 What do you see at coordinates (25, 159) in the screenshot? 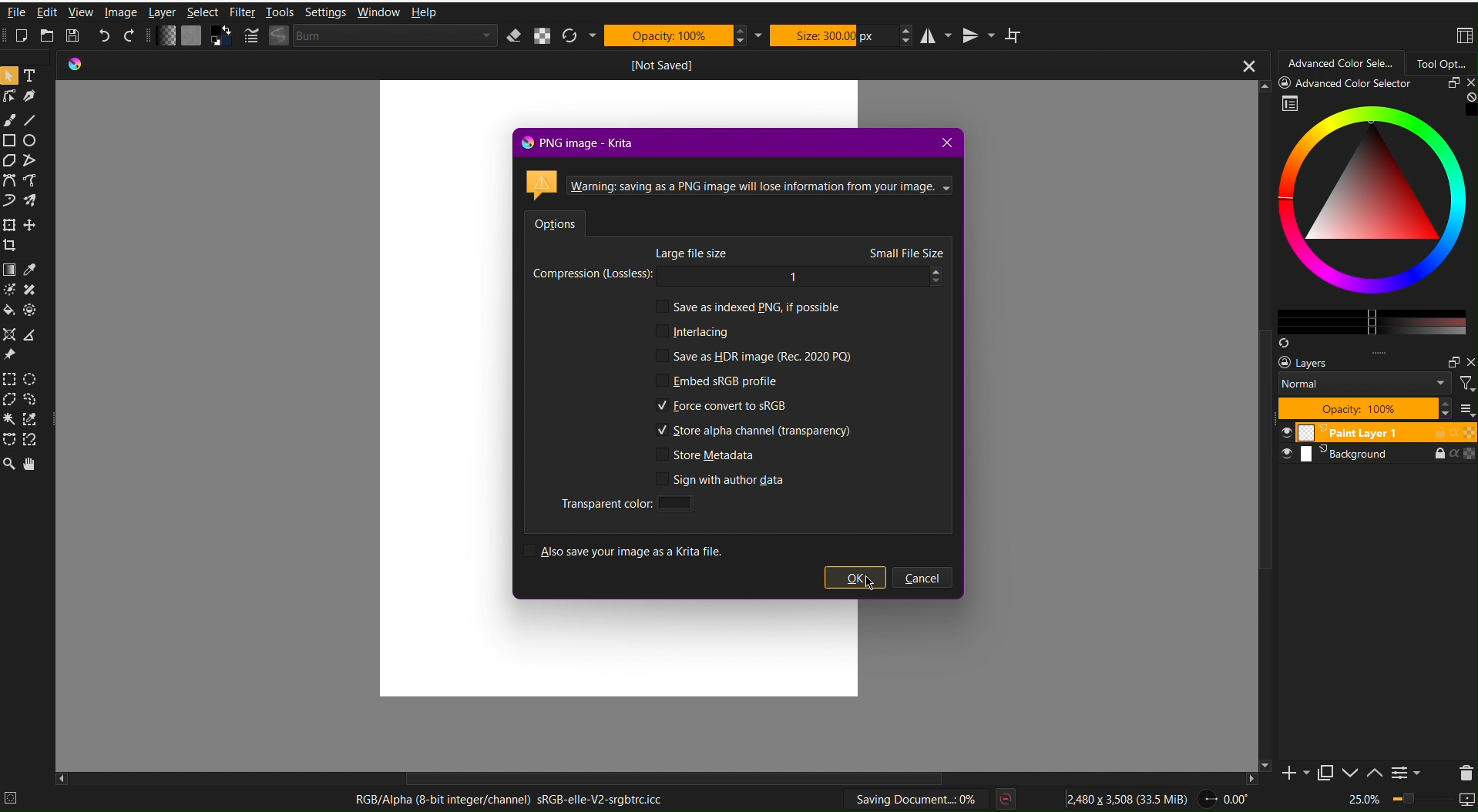
I see `Polygon Tools` at bounding box center [25, 159].